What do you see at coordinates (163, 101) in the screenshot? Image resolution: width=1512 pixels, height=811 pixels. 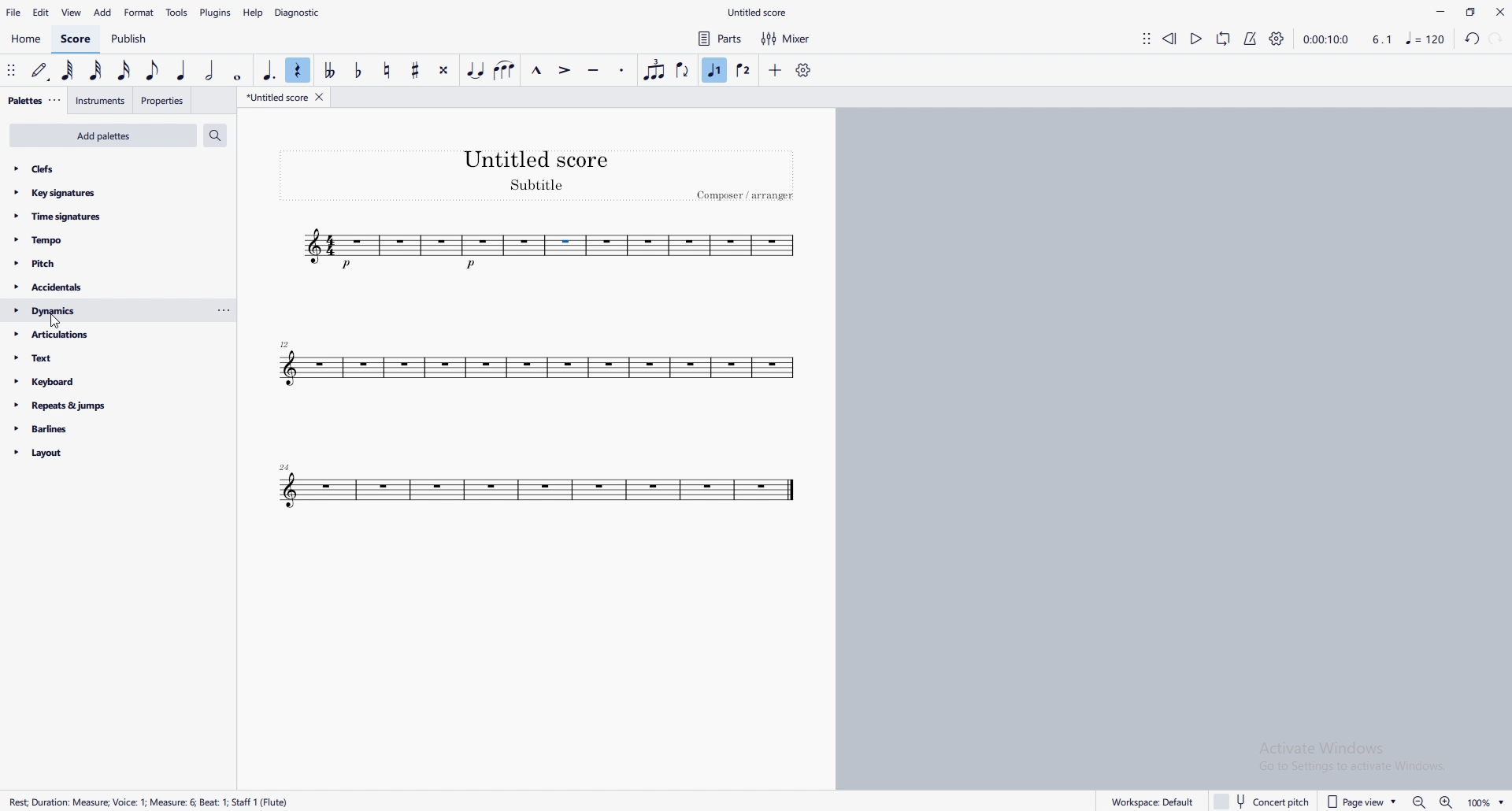 I see `properties` at bounding box center [163, 101].